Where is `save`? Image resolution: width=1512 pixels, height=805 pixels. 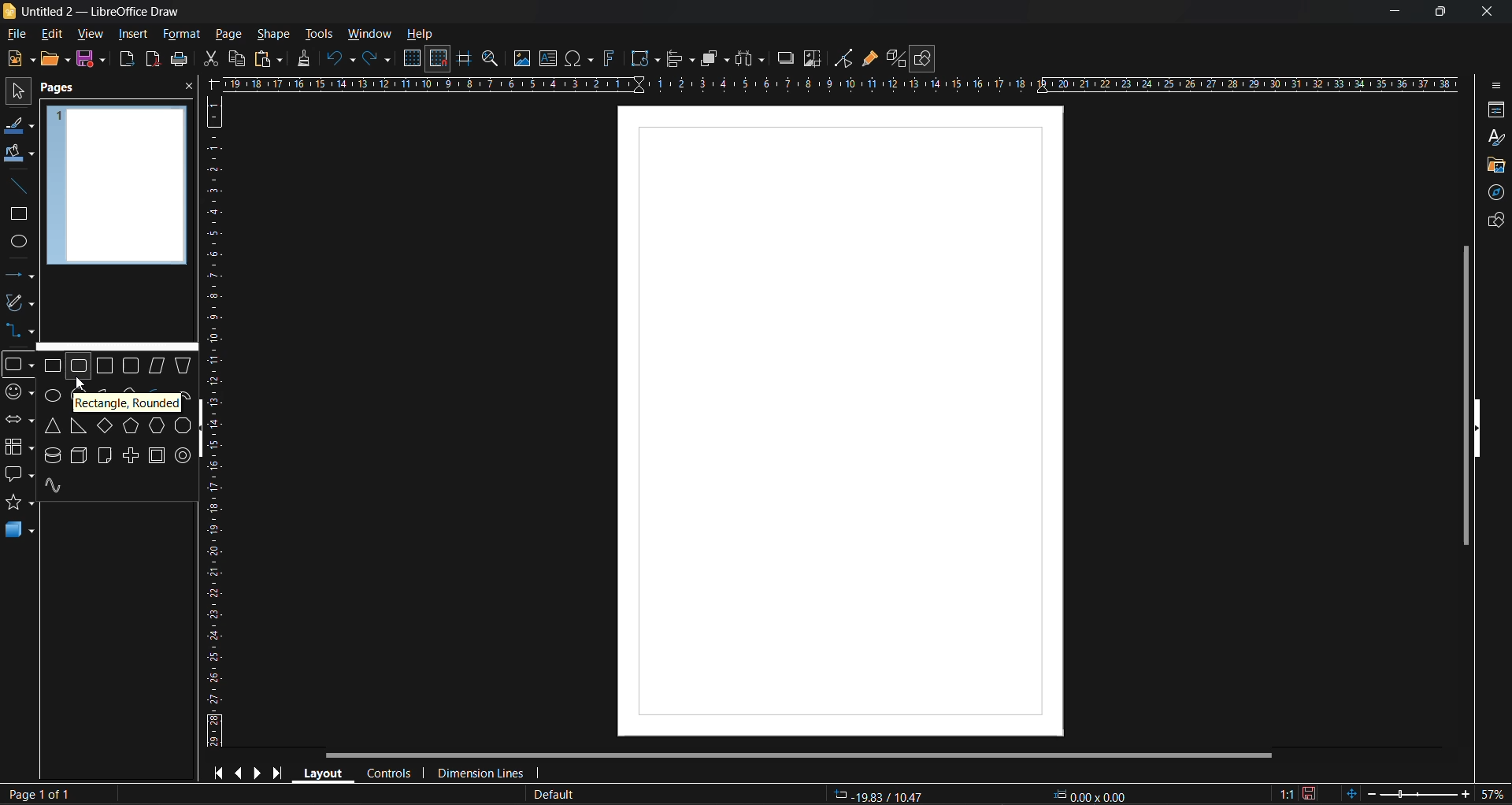 save is located at coordinates (89, 58).